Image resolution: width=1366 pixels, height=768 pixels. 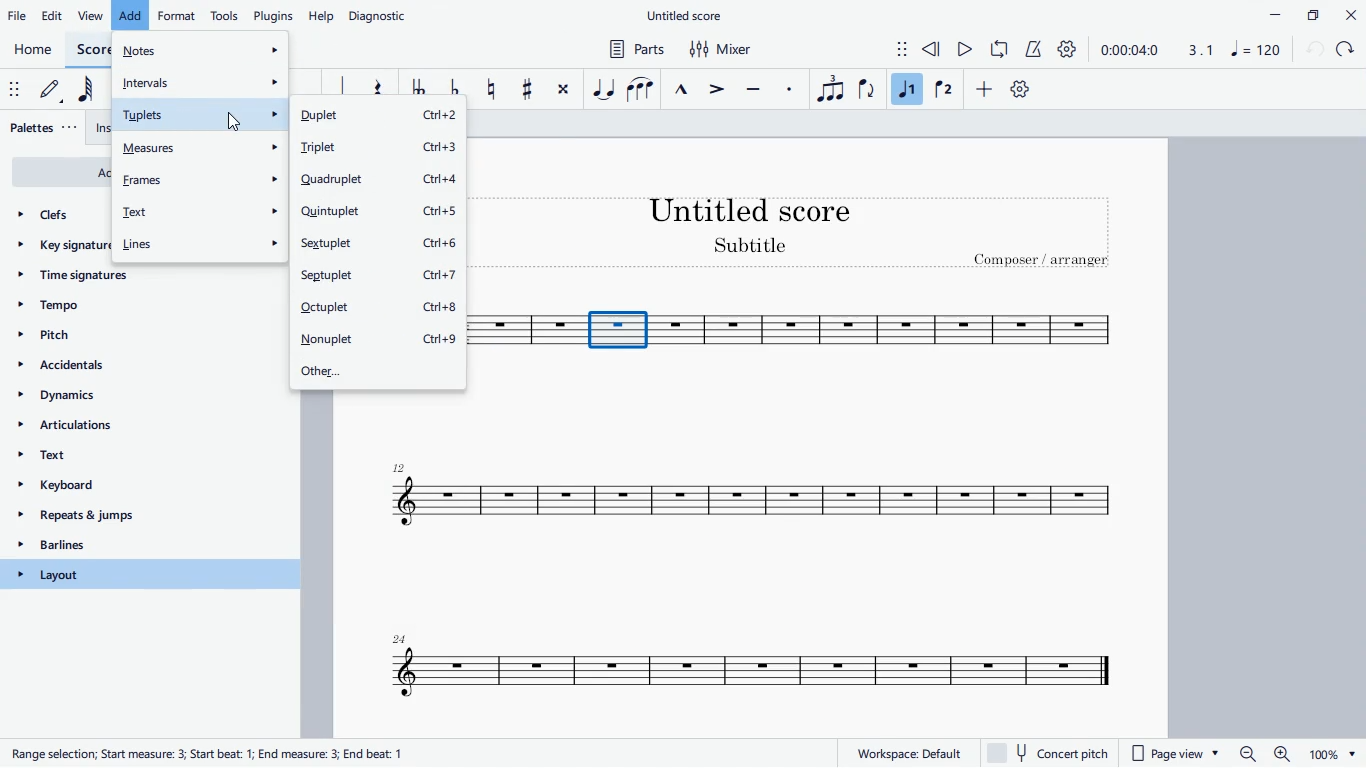 What do you see at coordinates (719, 90) in the screenshot?
I see `accent` at bounding box center [719, 90].